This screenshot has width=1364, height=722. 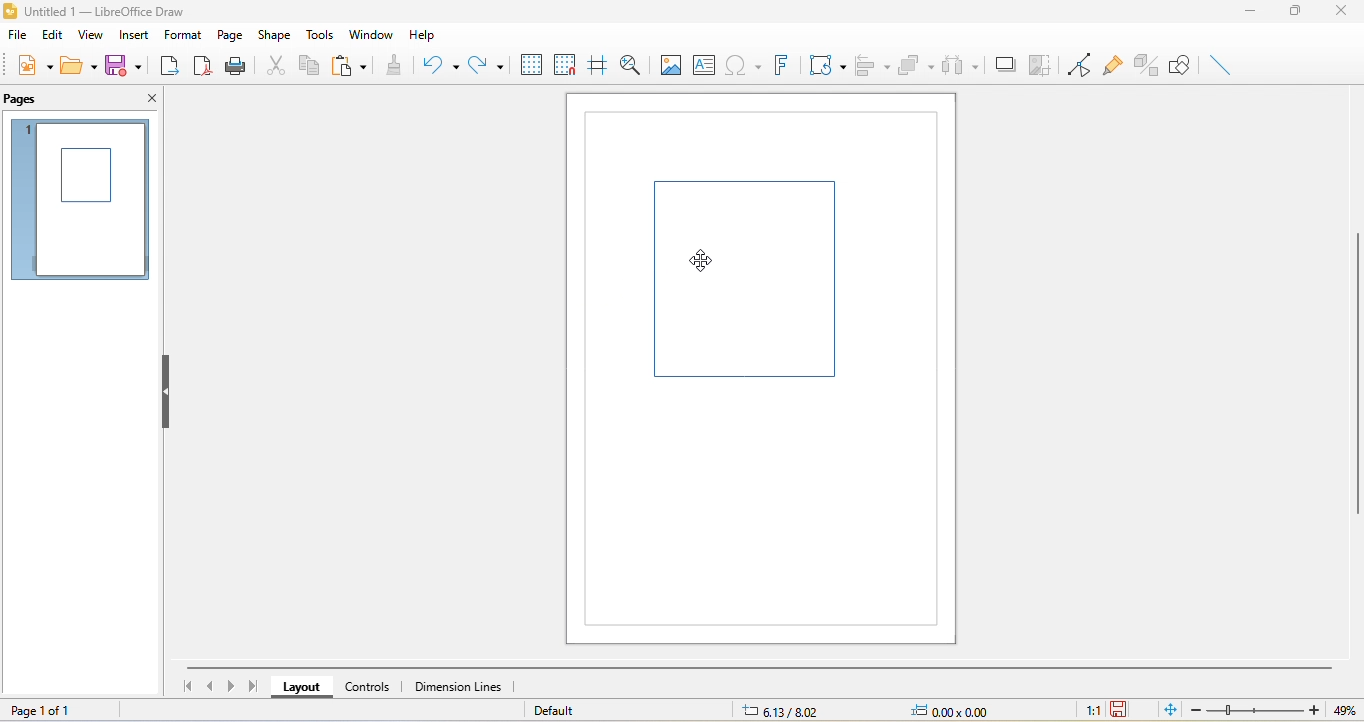 What do you see at coordinates (596, 66) in the screenshot?
I see `helpline while moving` at bounding box center [596, 66].